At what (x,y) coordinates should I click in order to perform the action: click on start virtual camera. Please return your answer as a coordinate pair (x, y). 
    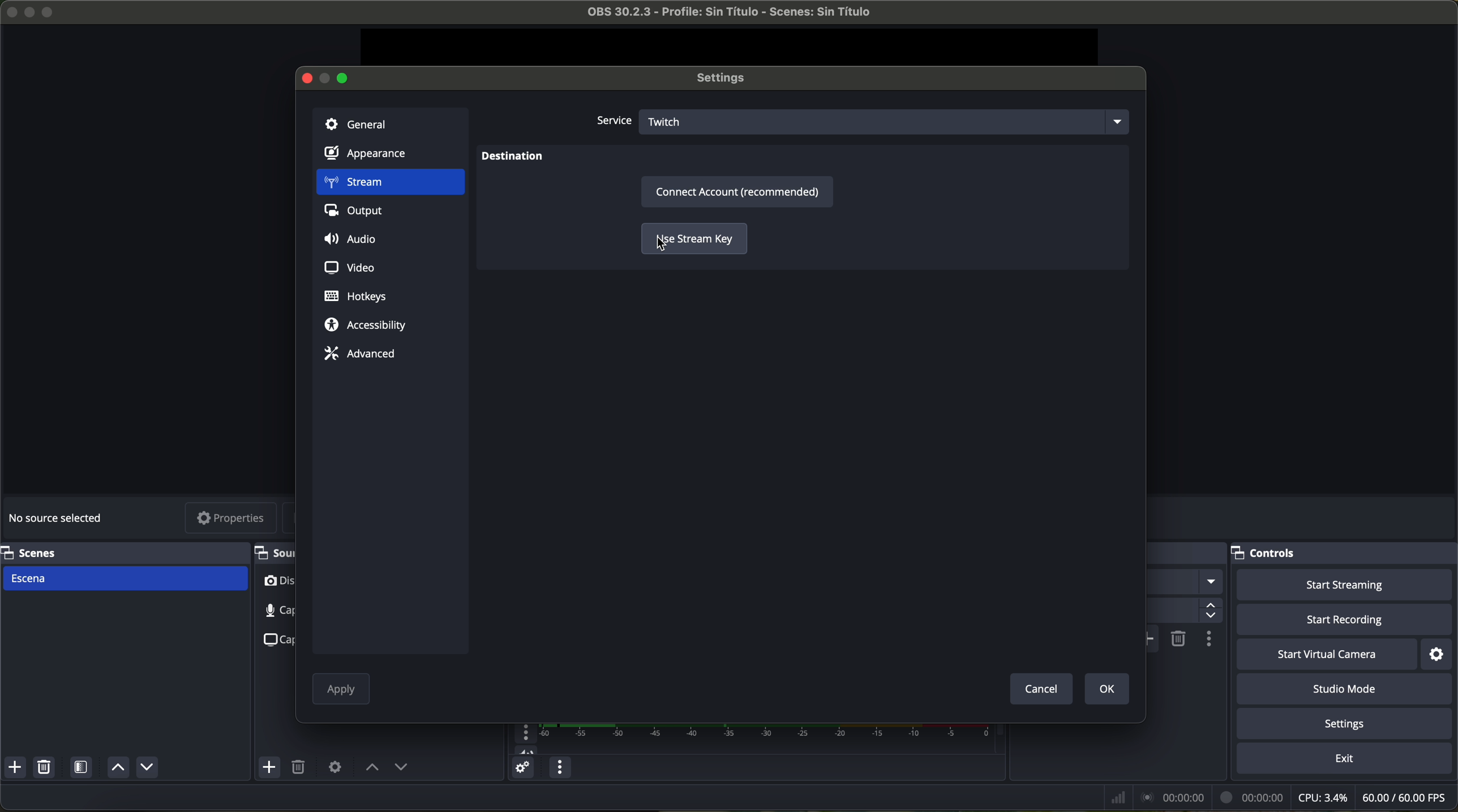
    Looking at the image, I should click on (1327, 655).